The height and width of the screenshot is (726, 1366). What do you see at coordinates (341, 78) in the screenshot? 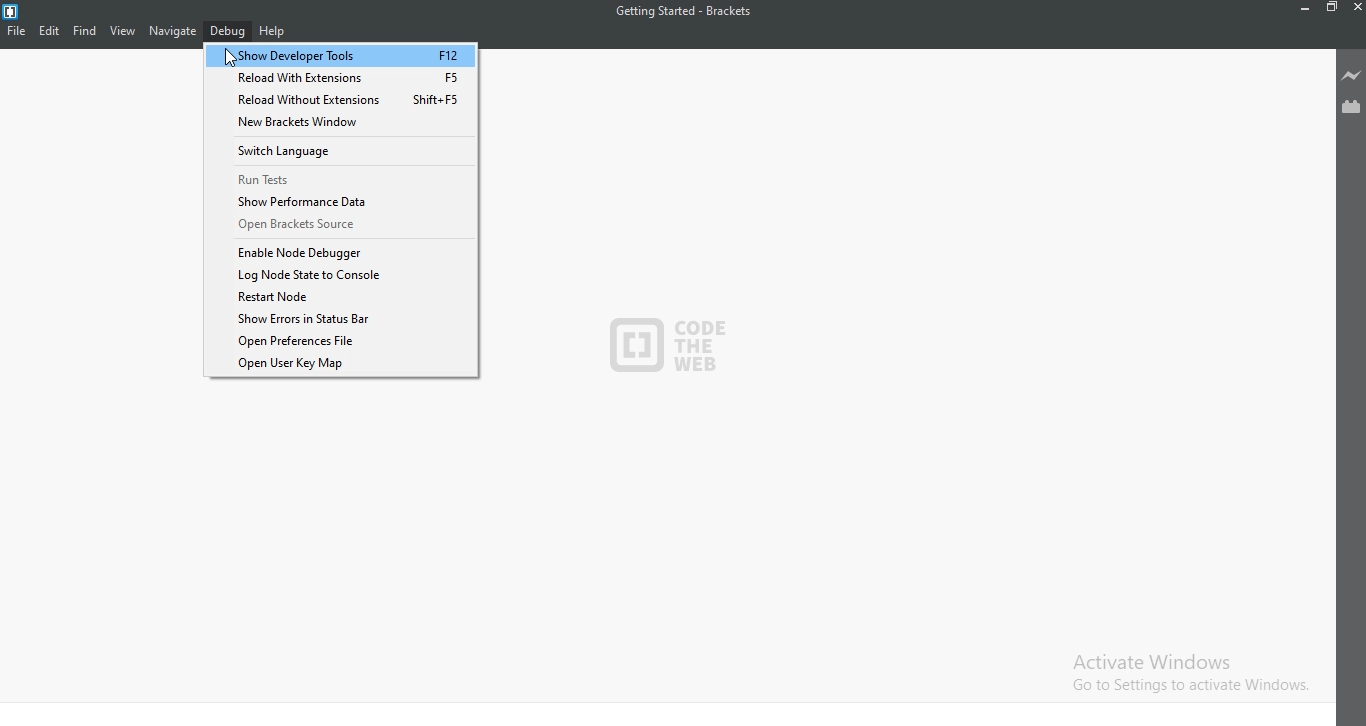
I see `Reload With Extensions` at bounding box center [341, 78].